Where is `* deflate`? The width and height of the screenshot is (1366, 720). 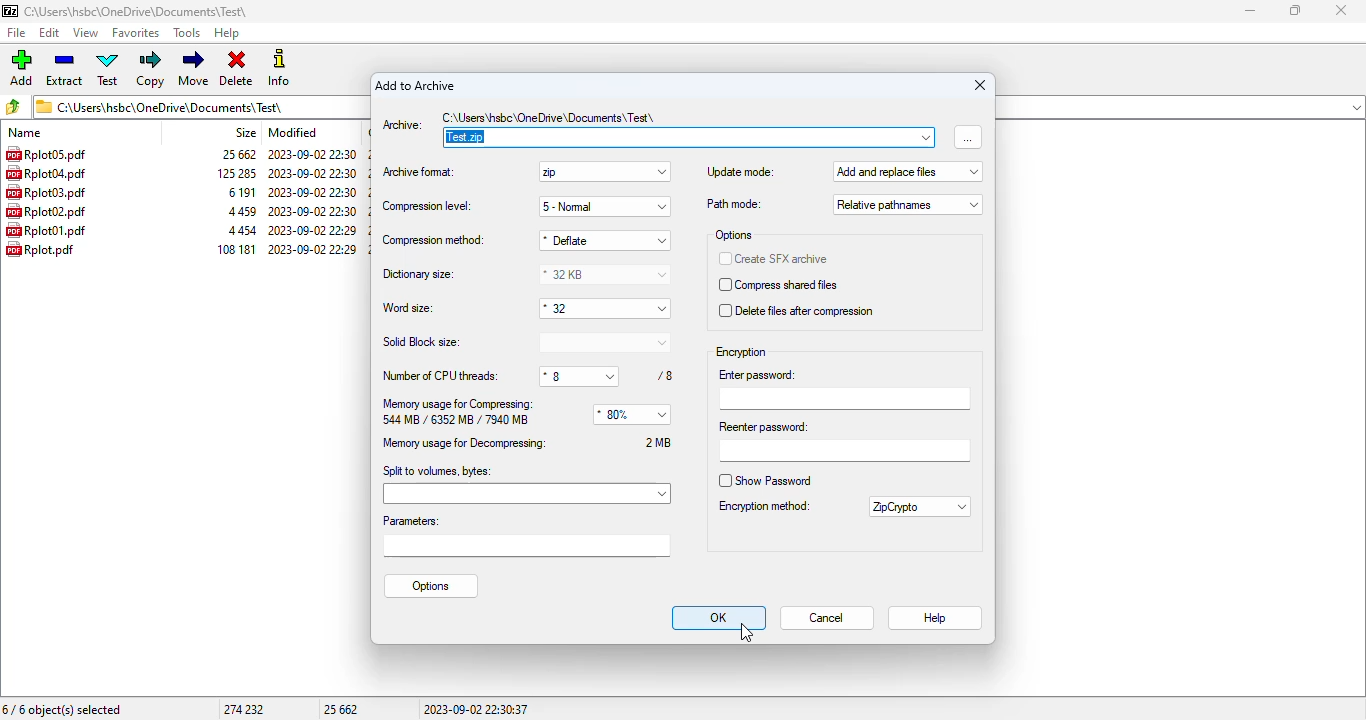 * deflate is located at coordinates (604, 240).